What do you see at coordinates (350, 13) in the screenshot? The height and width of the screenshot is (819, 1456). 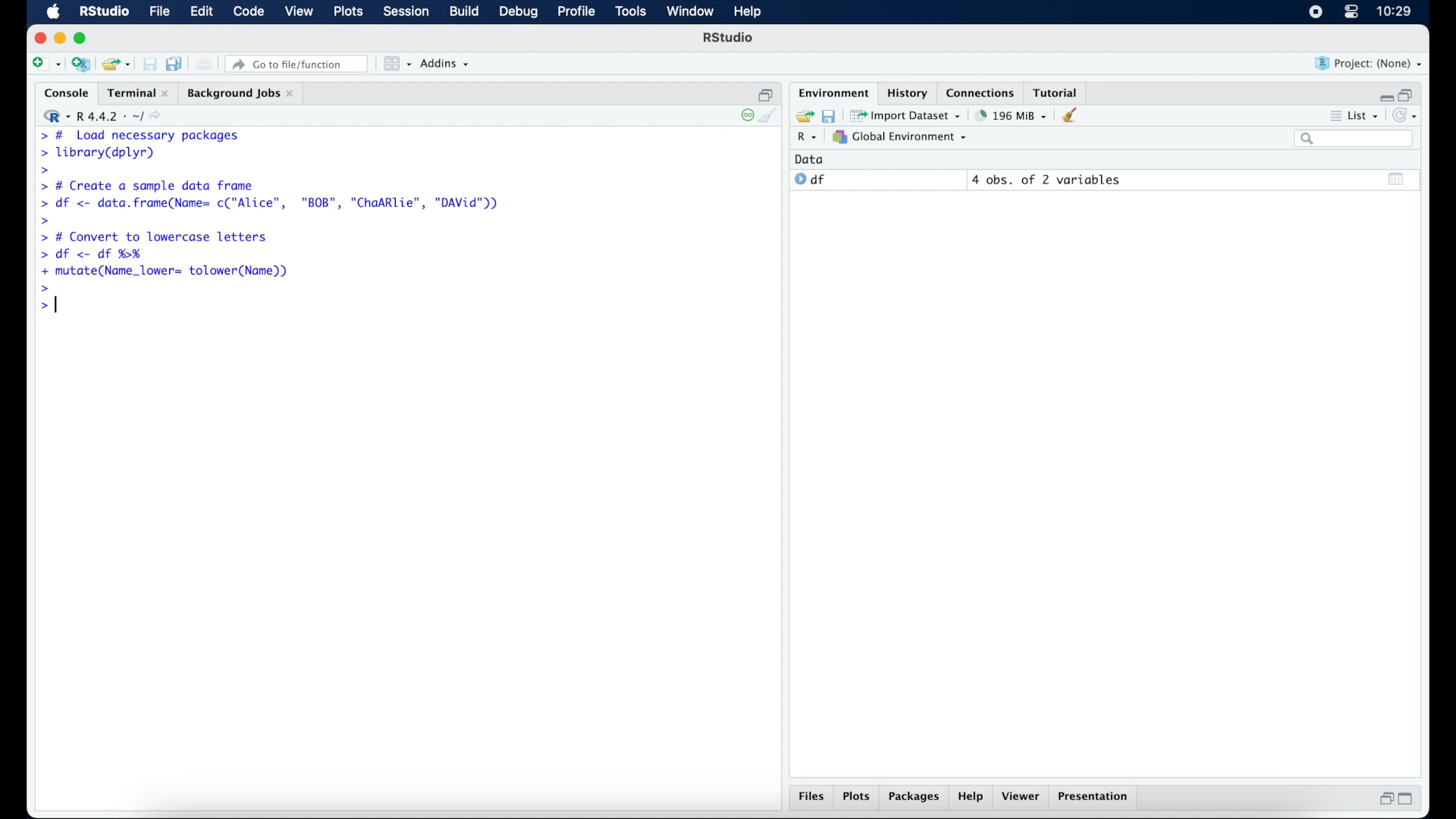 I see `plots` at bounding box center [350, 13].